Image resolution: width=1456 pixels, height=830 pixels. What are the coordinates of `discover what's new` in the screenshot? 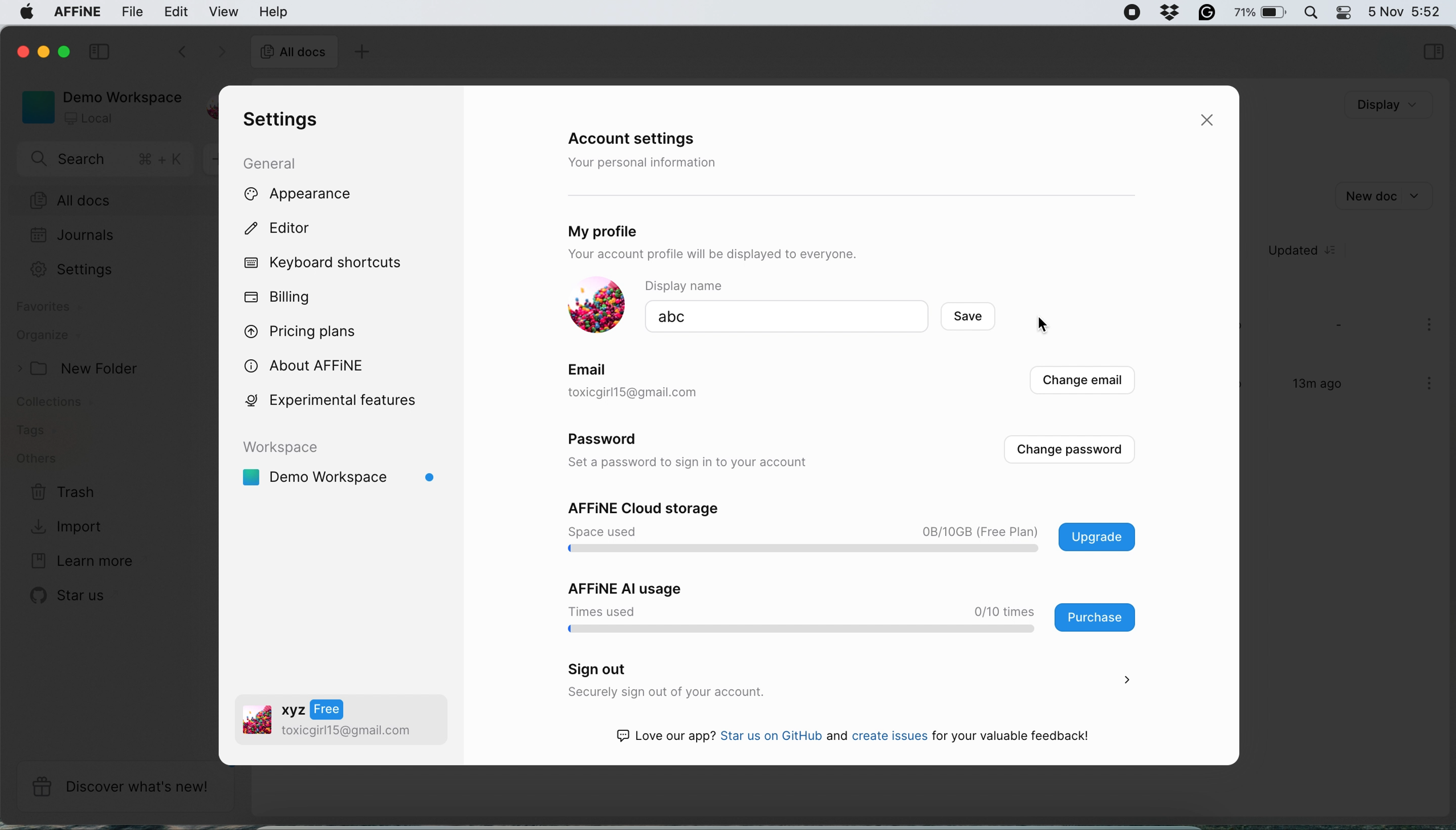 It's located at (125, 787).